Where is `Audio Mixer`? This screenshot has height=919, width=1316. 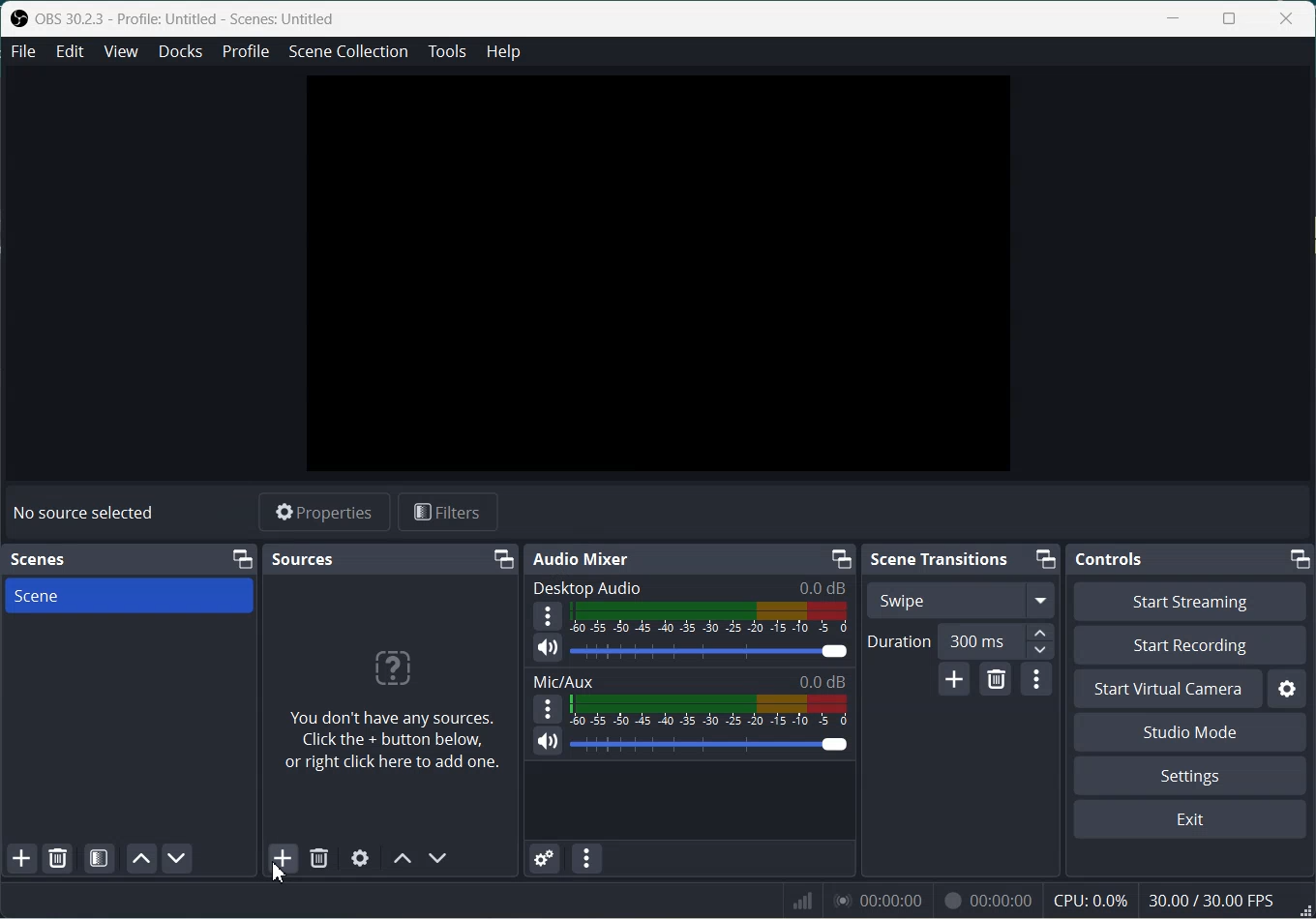
Audio Mixer is located at coordinates (581, 558).